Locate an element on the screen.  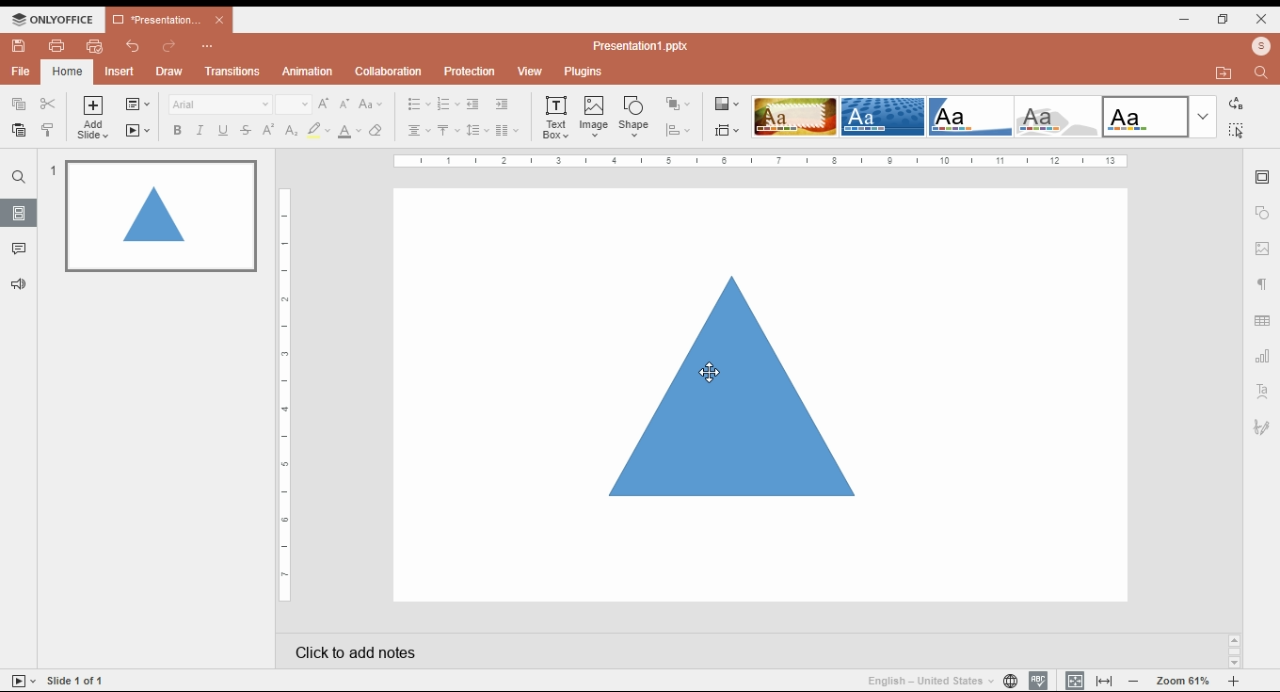
view is located at coordinates (531, 72).